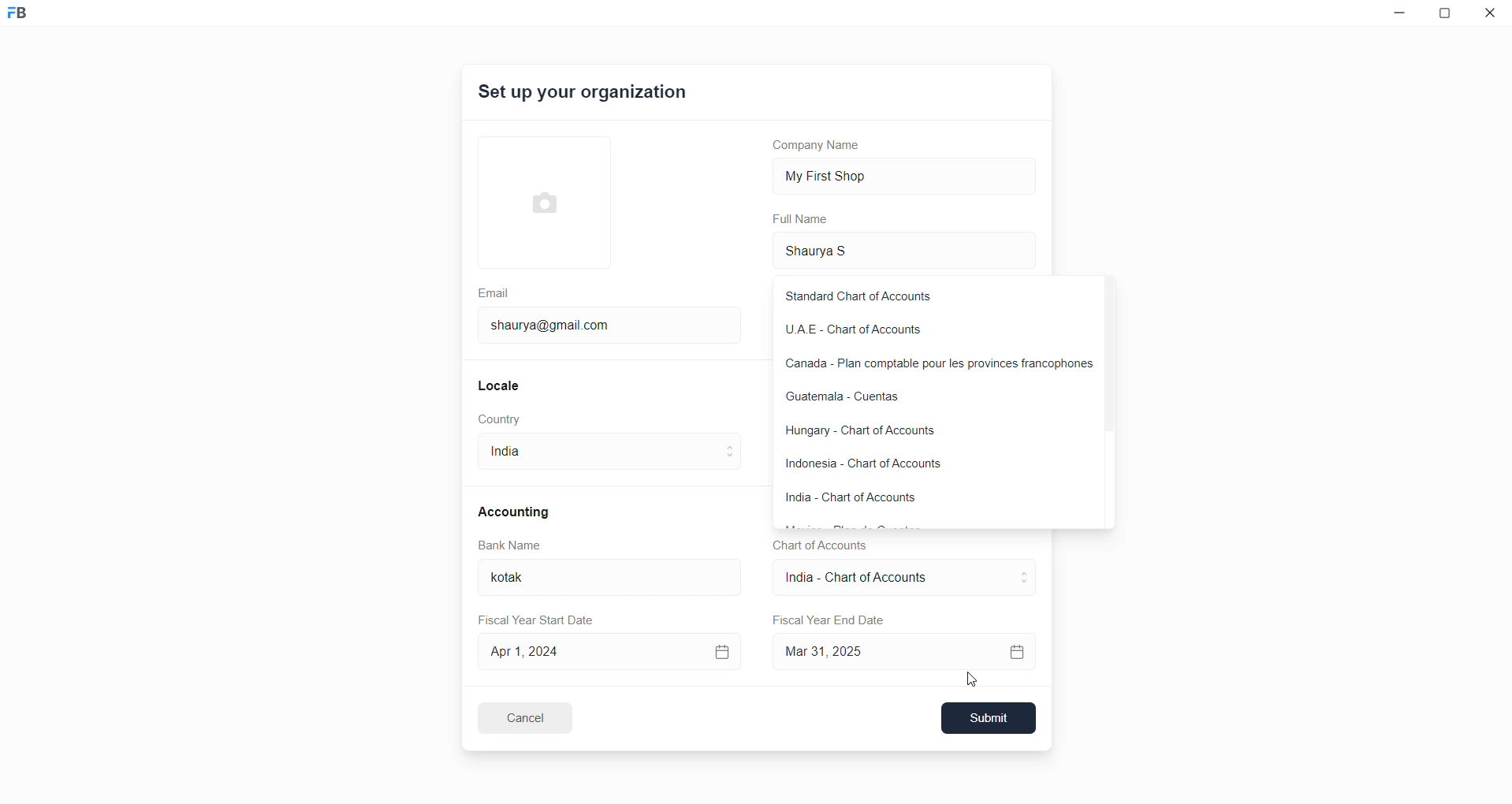  What do you see at coordinates (851, 174) in the screenshot?
I see `My First Shop` at bounding box center [851, 174].